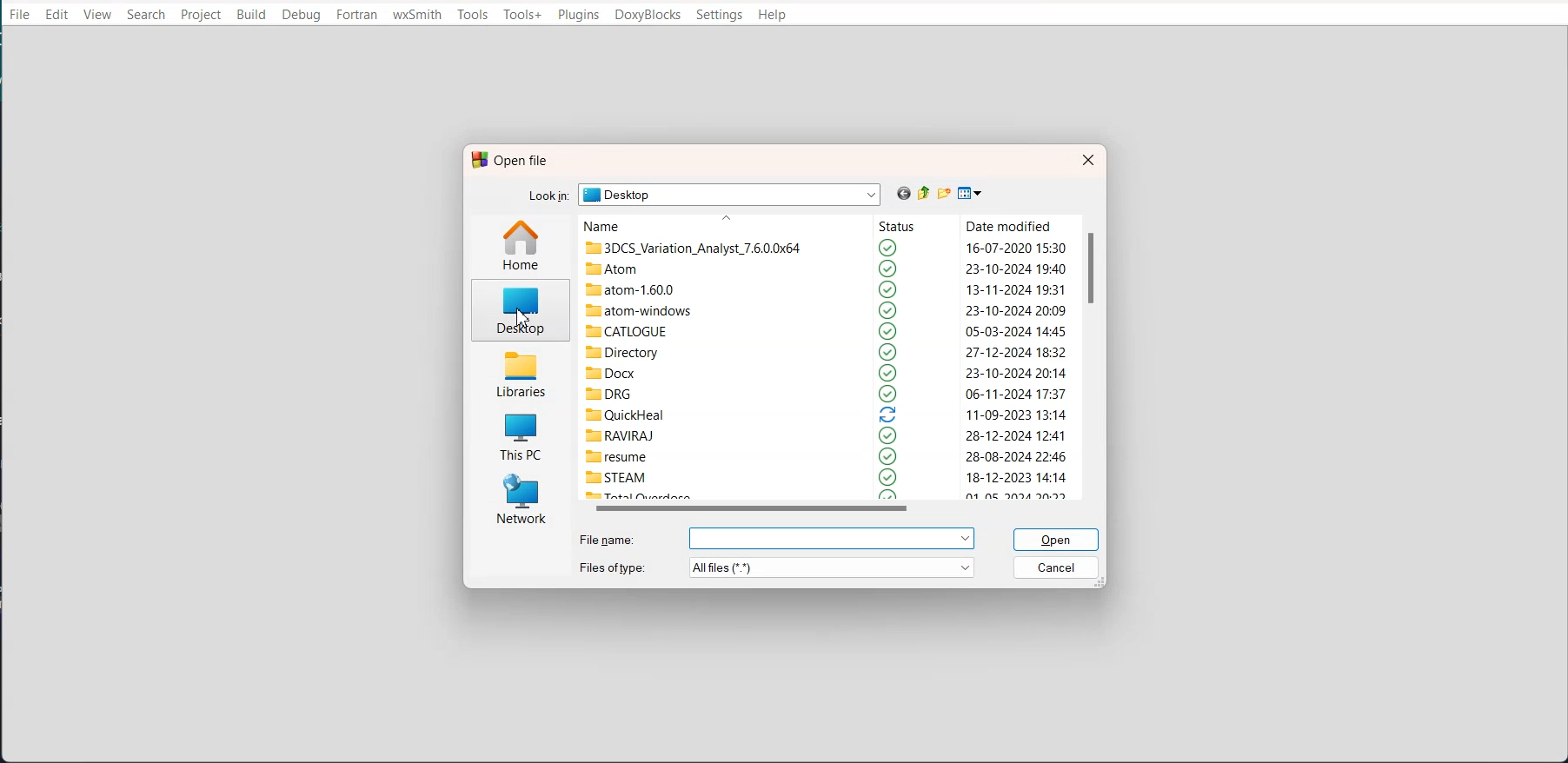 The width and height of the screenshot is (1568, 763). I want to click on Desktop, so click(522, 309).